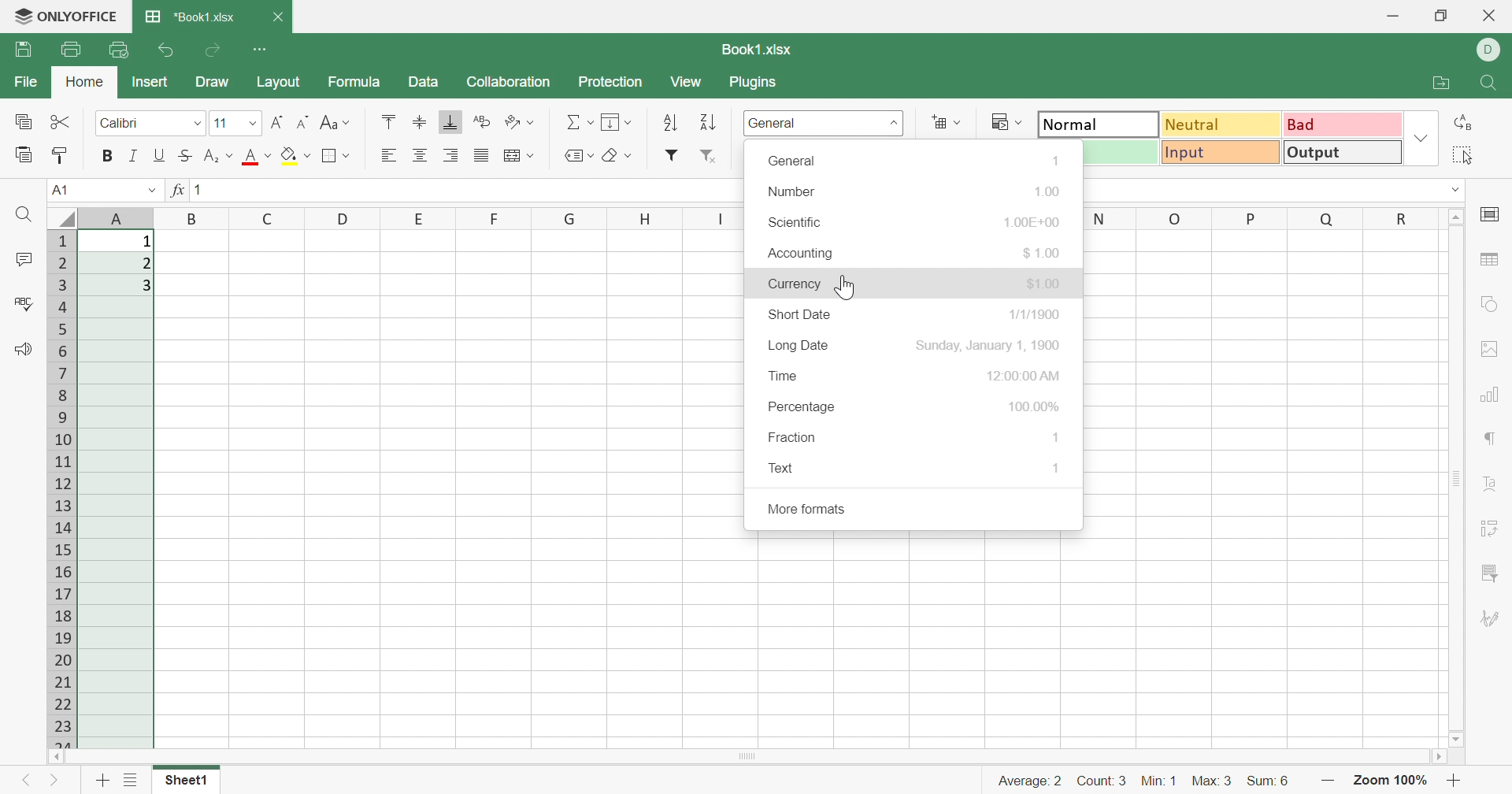 This screenshot has height=794, width=1512. What do you see at coordinates (1058, 469) in the screenshot?
I see `1` at bounding box center [1058, 469].